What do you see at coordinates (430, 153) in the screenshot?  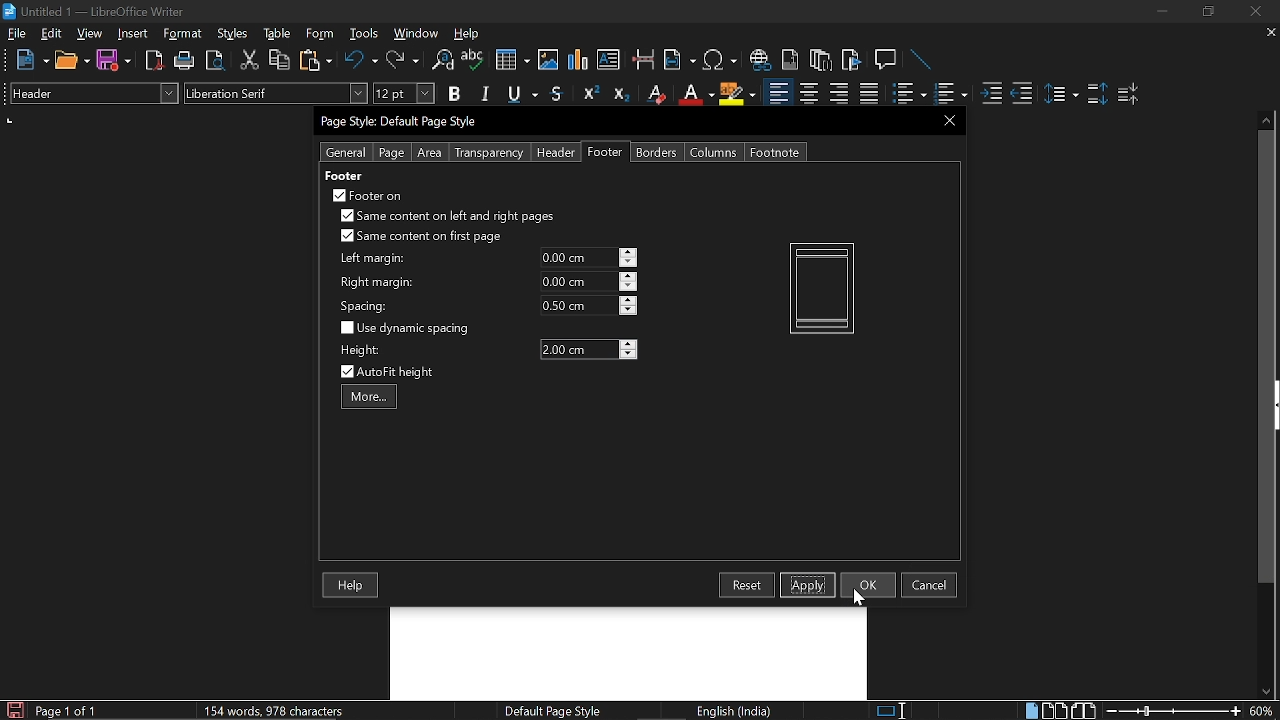 I see `Area` at bounding box center [430, 153].